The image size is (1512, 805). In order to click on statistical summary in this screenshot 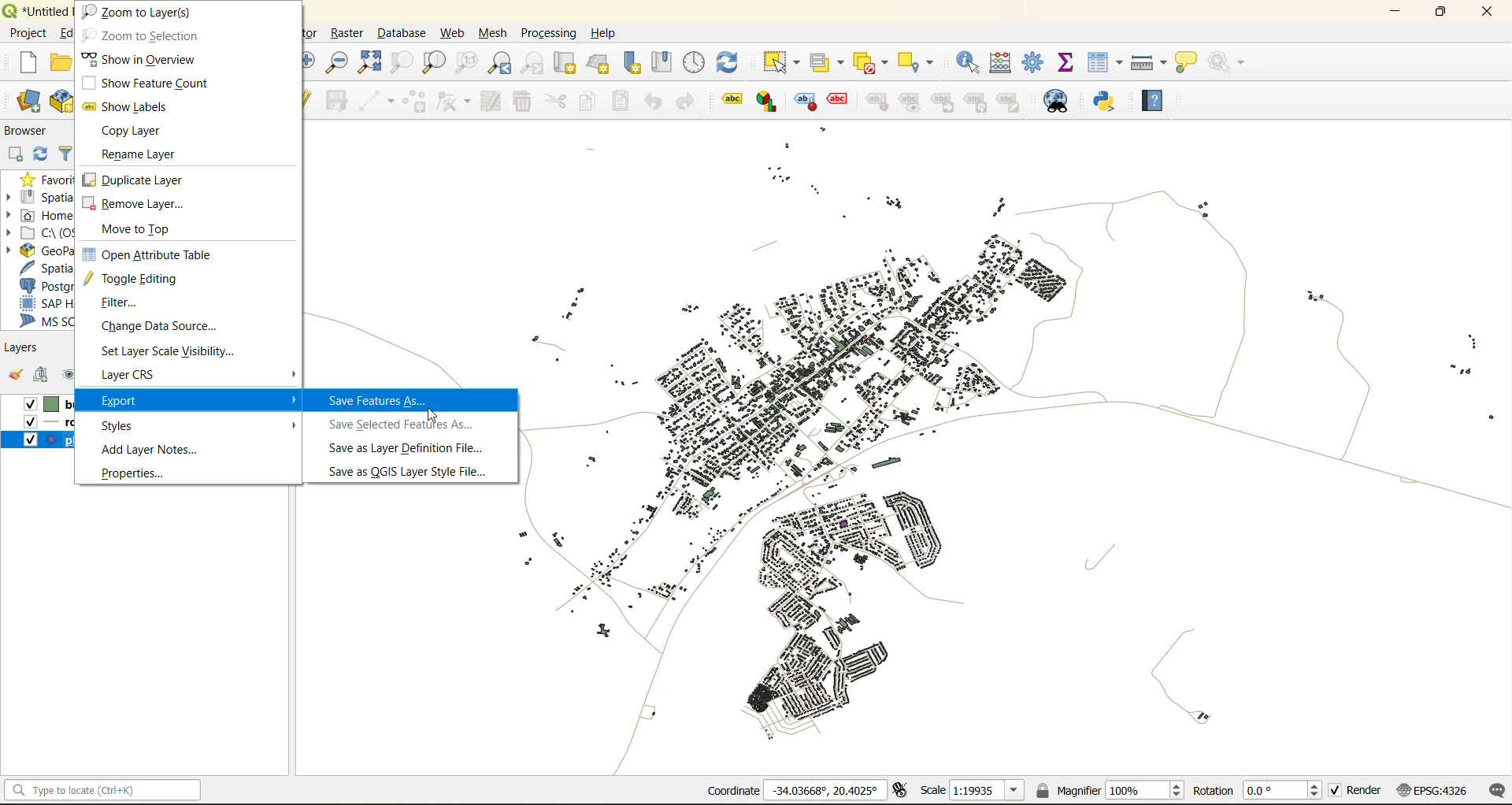, I will do `click(1071, 63)`.